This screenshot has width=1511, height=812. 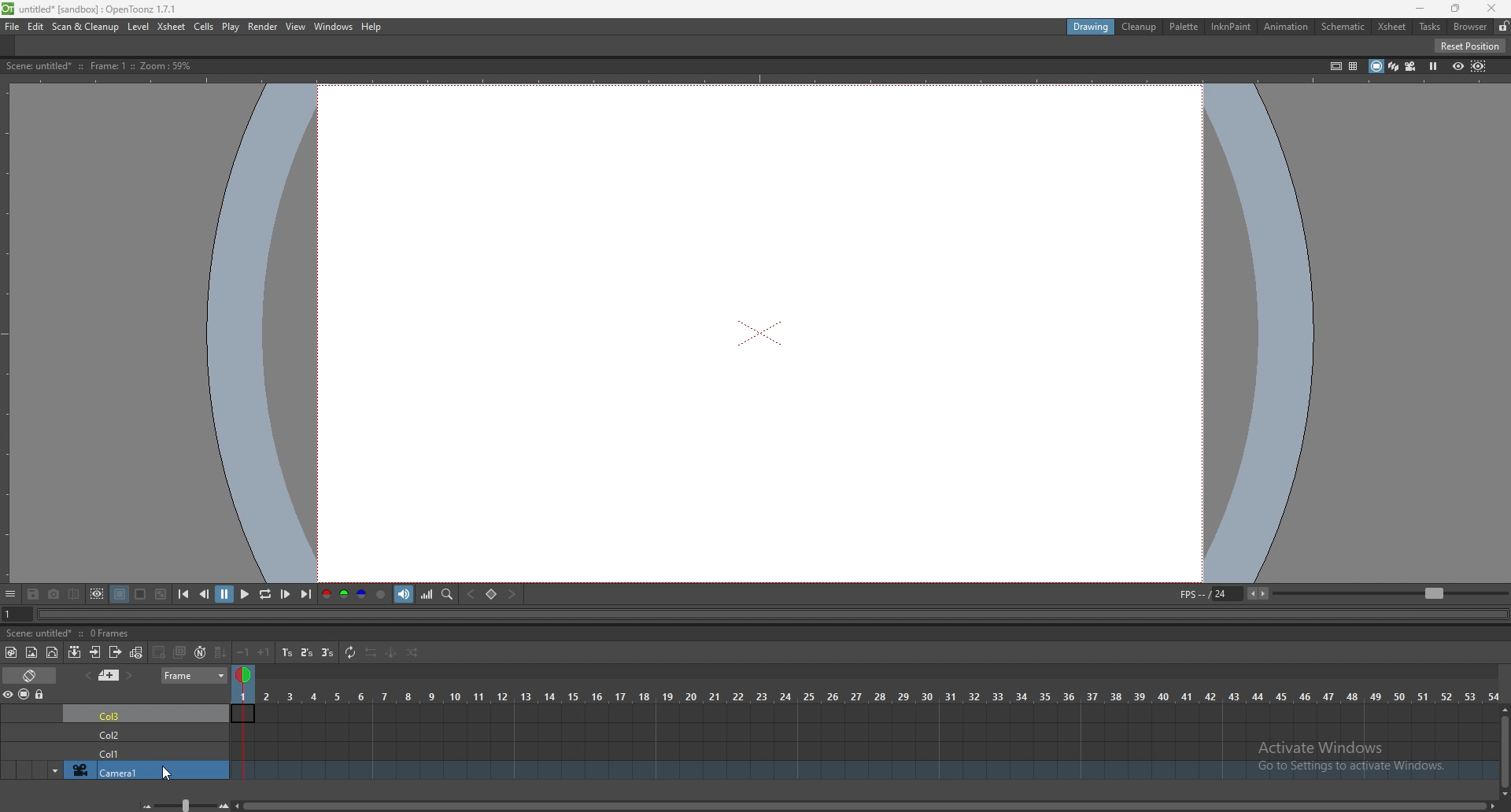 What do you see at coordinates (1410, 67) in the screenshot?
I see `camera view` at bounding box center [1410, 67].